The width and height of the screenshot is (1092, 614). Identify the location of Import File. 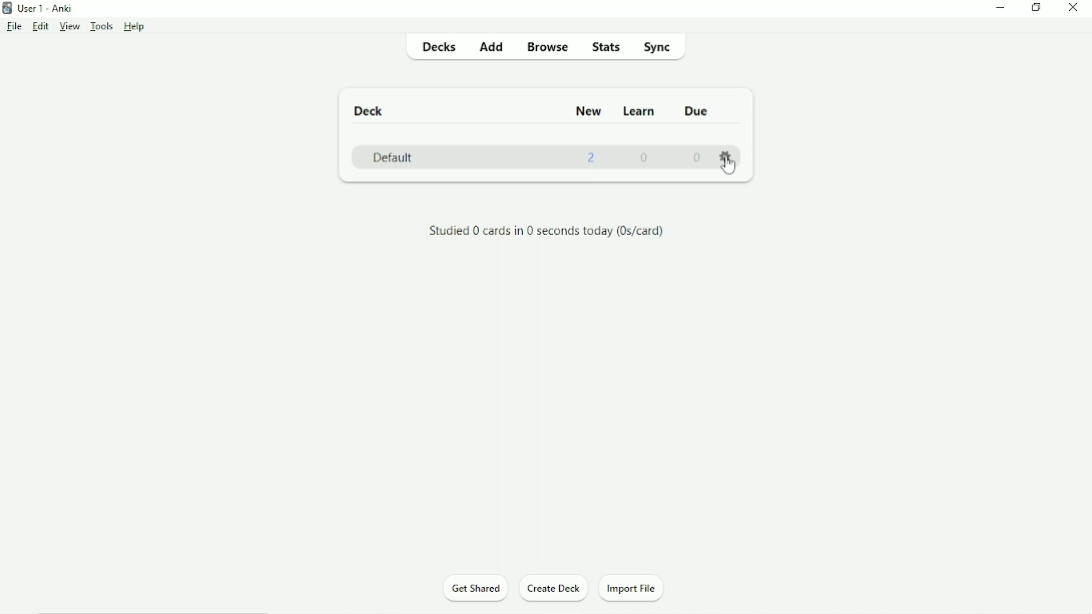
(640, 587).